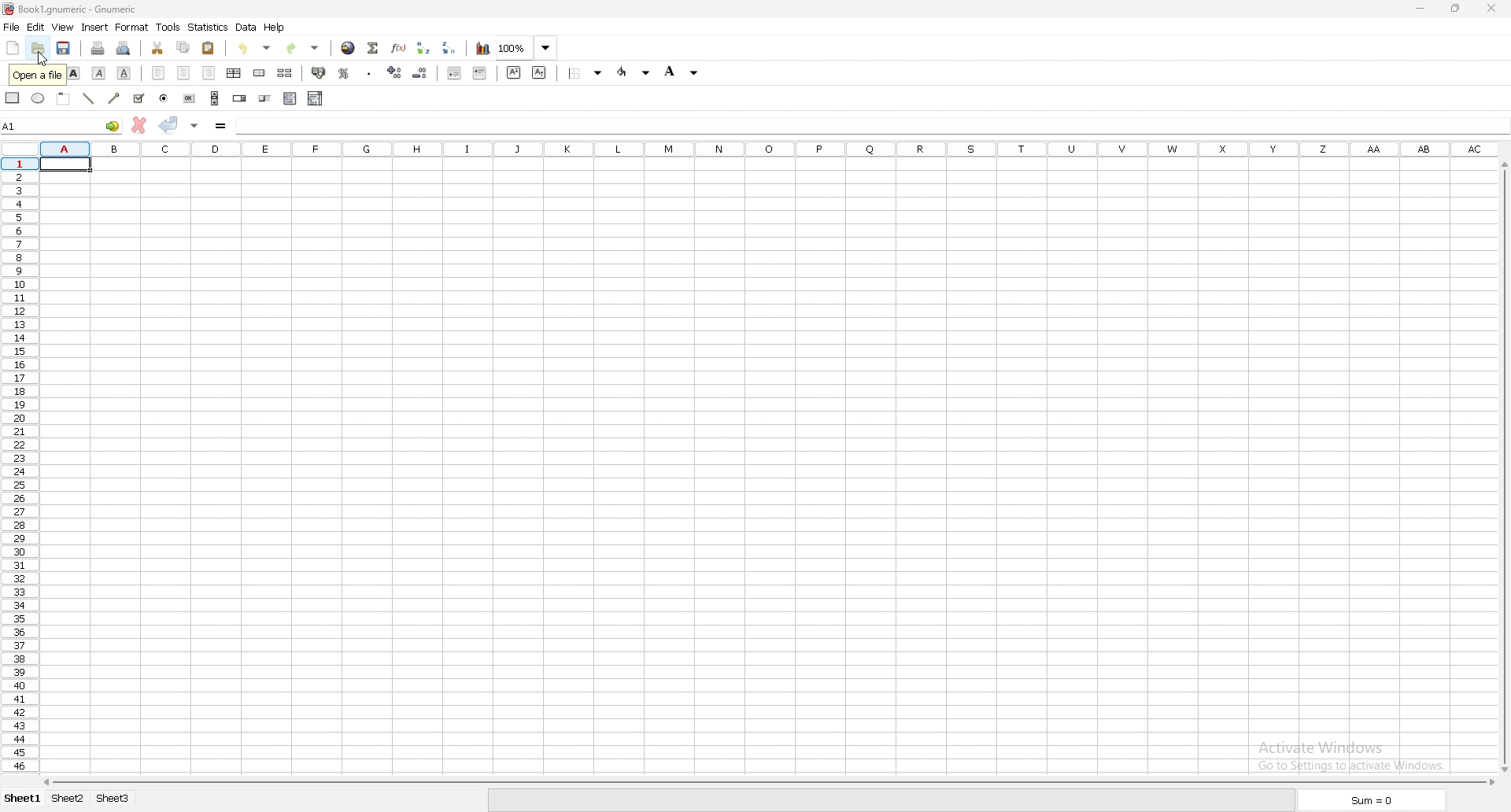  What do you see at coordinates (159, 73) in the screenshot?
I see `left align` at bounding box center [159, 73].